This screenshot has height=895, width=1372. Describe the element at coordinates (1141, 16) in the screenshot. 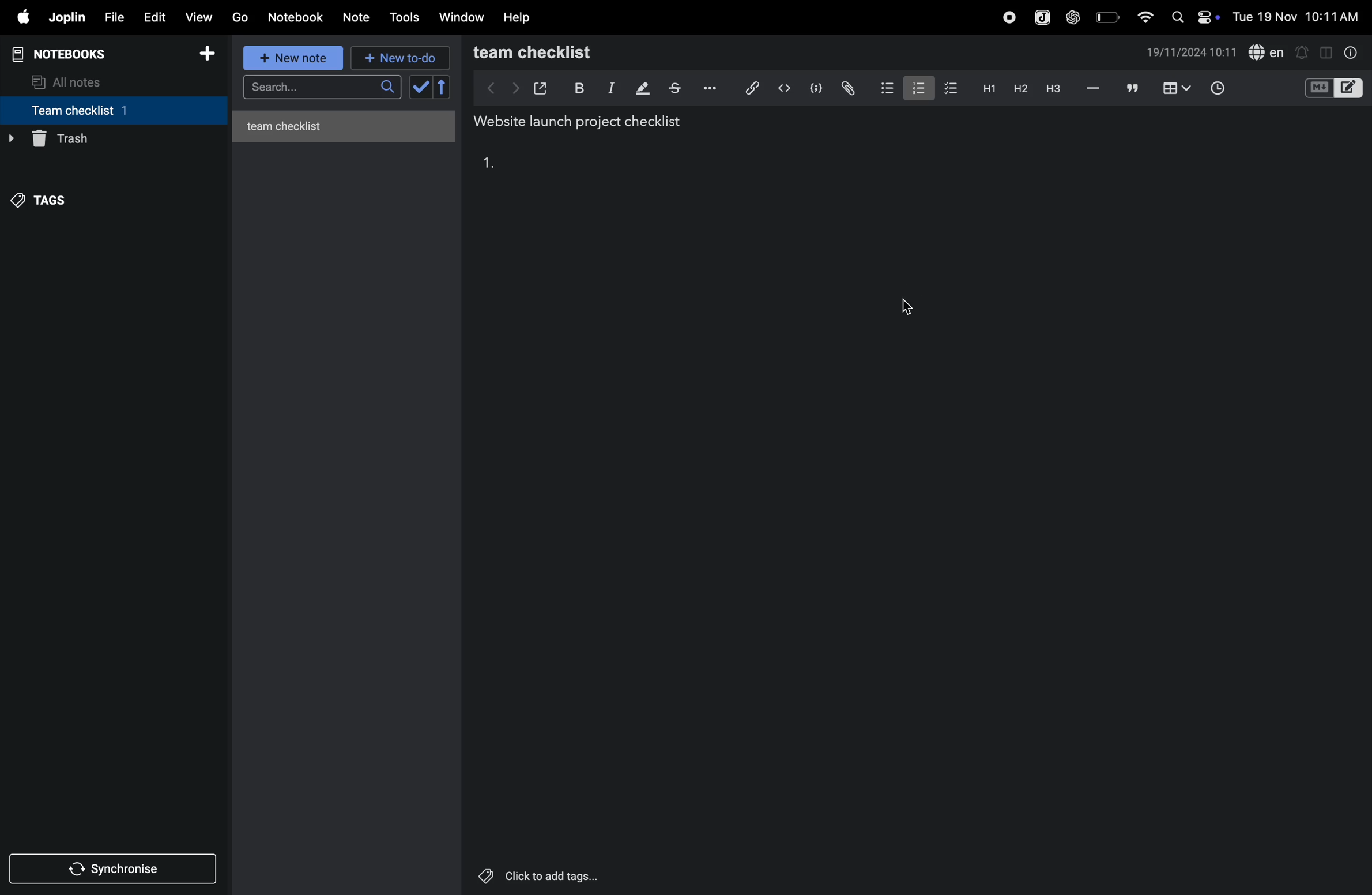

I see `wifi` at that location.